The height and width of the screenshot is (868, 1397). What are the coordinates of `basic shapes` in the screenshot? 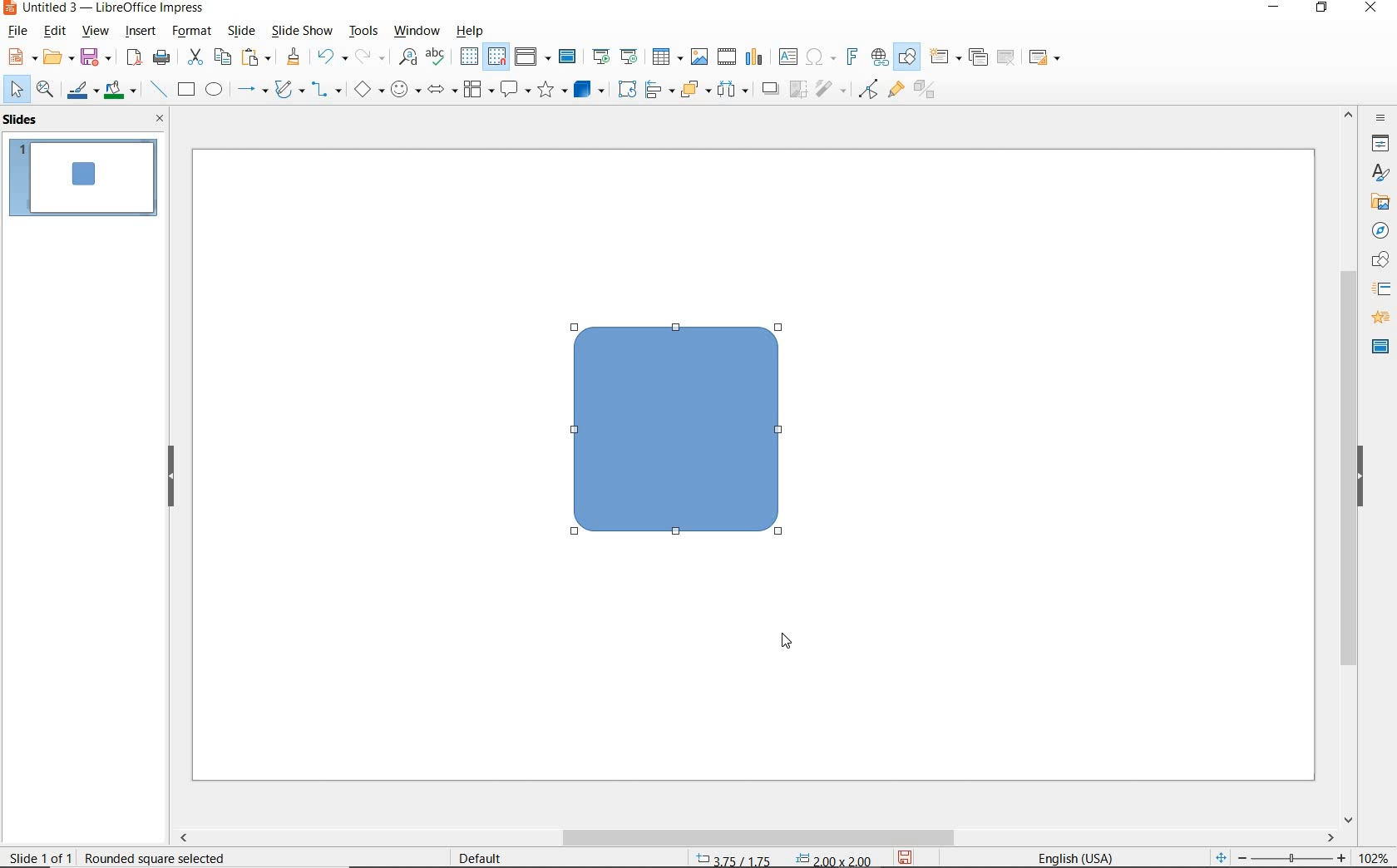 It's located at (367, 89).